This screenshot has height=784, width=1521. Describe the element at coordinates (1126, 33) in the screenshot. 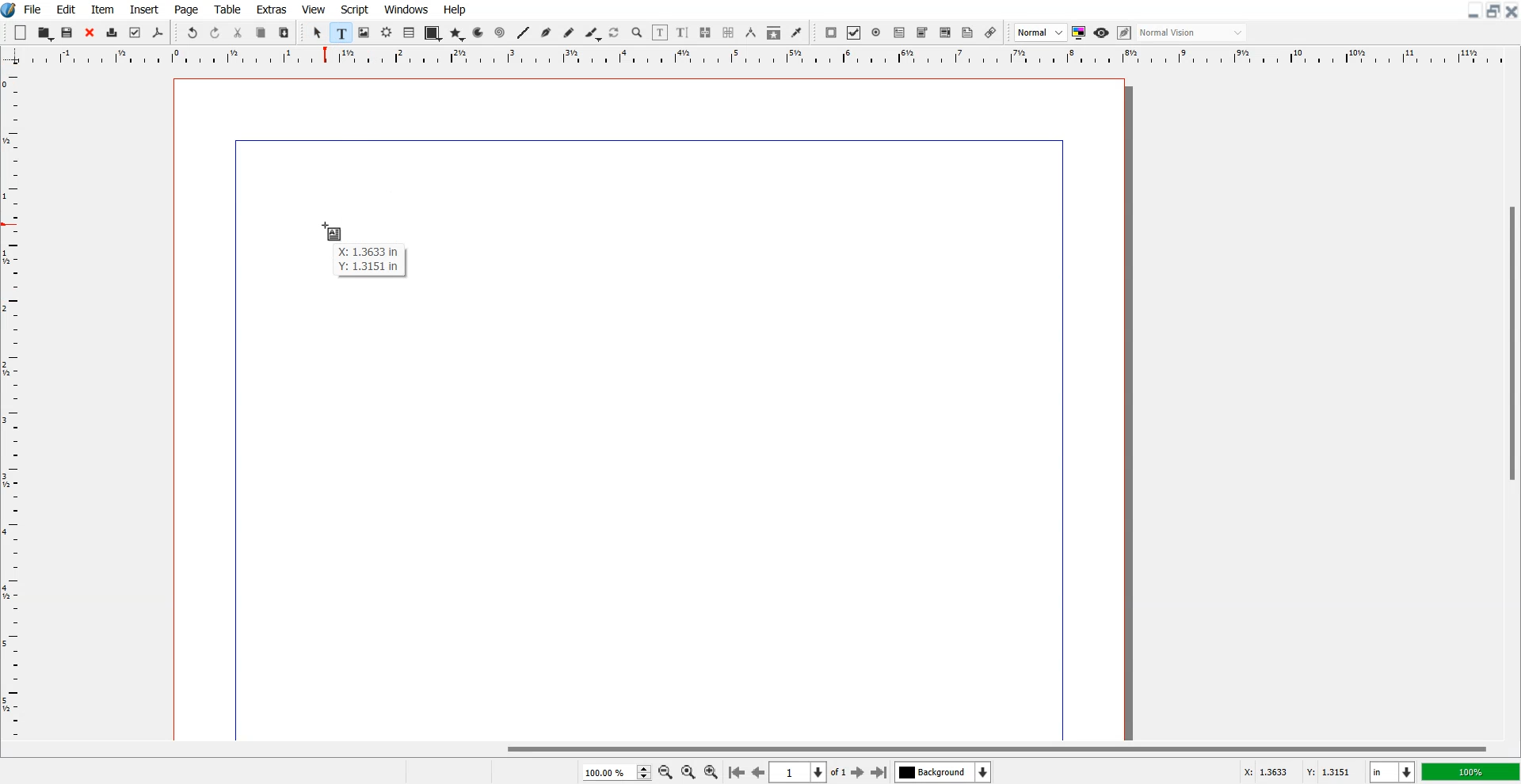

I see `Edit in preview` at that location.